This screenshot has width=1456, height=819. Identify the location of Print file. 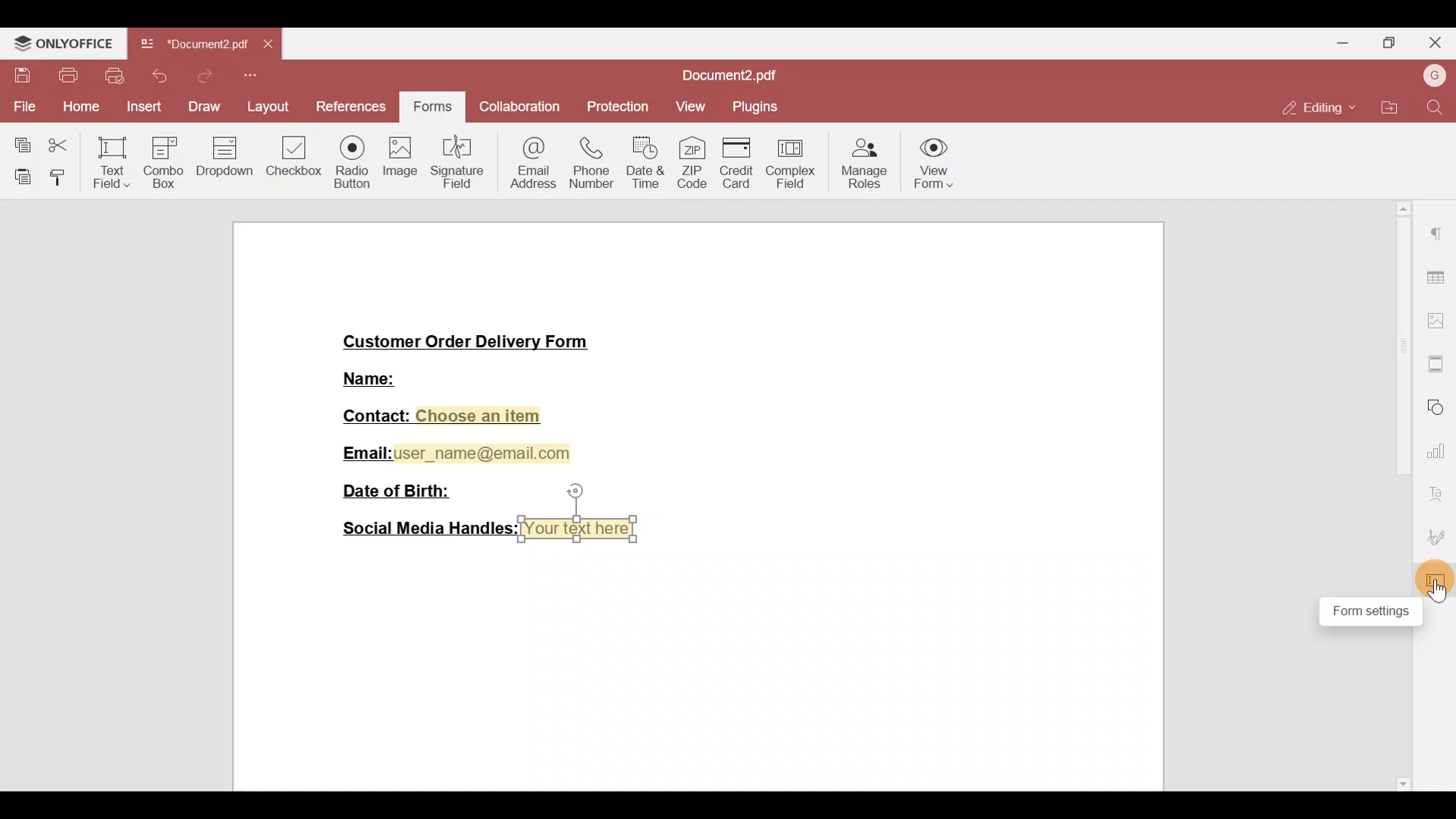
(66, 76).